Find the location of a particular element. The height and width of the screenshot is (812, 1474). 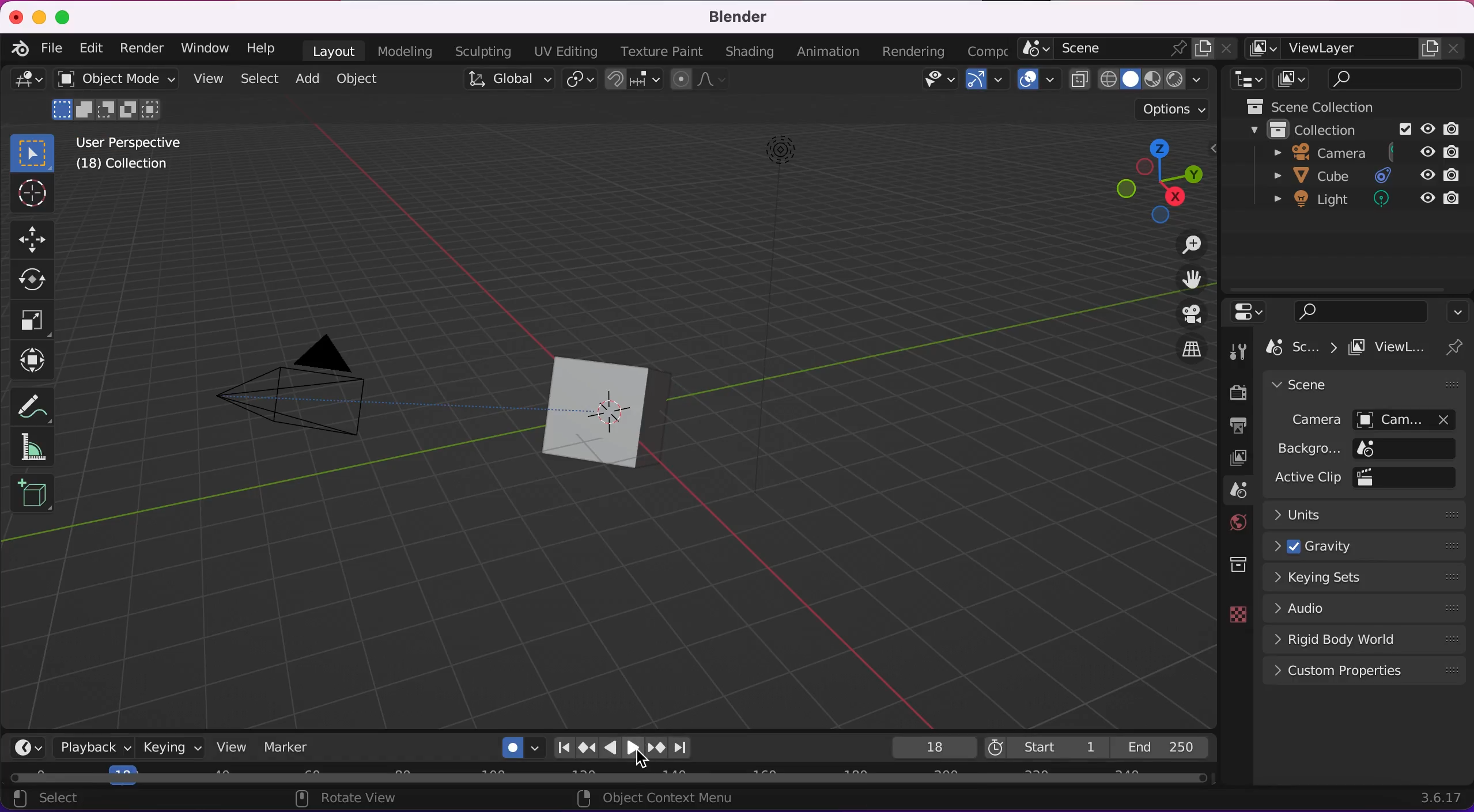

controls is located at coordinates (1250, 312).